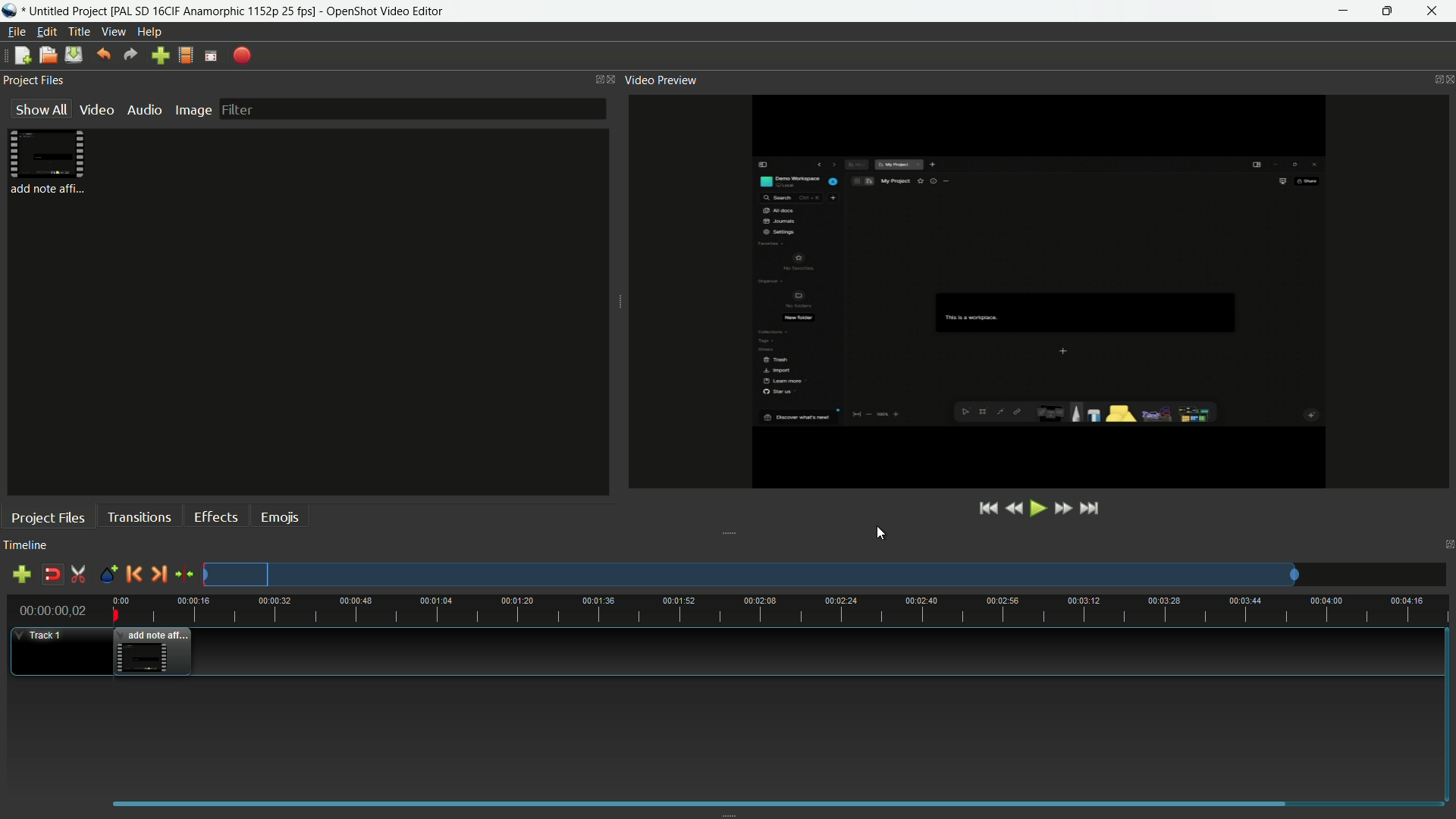 This screenshot has height=819, width=1456. Describe the element at coordinates (1014, 510) in the screenshot. I see `rewind` at that location.